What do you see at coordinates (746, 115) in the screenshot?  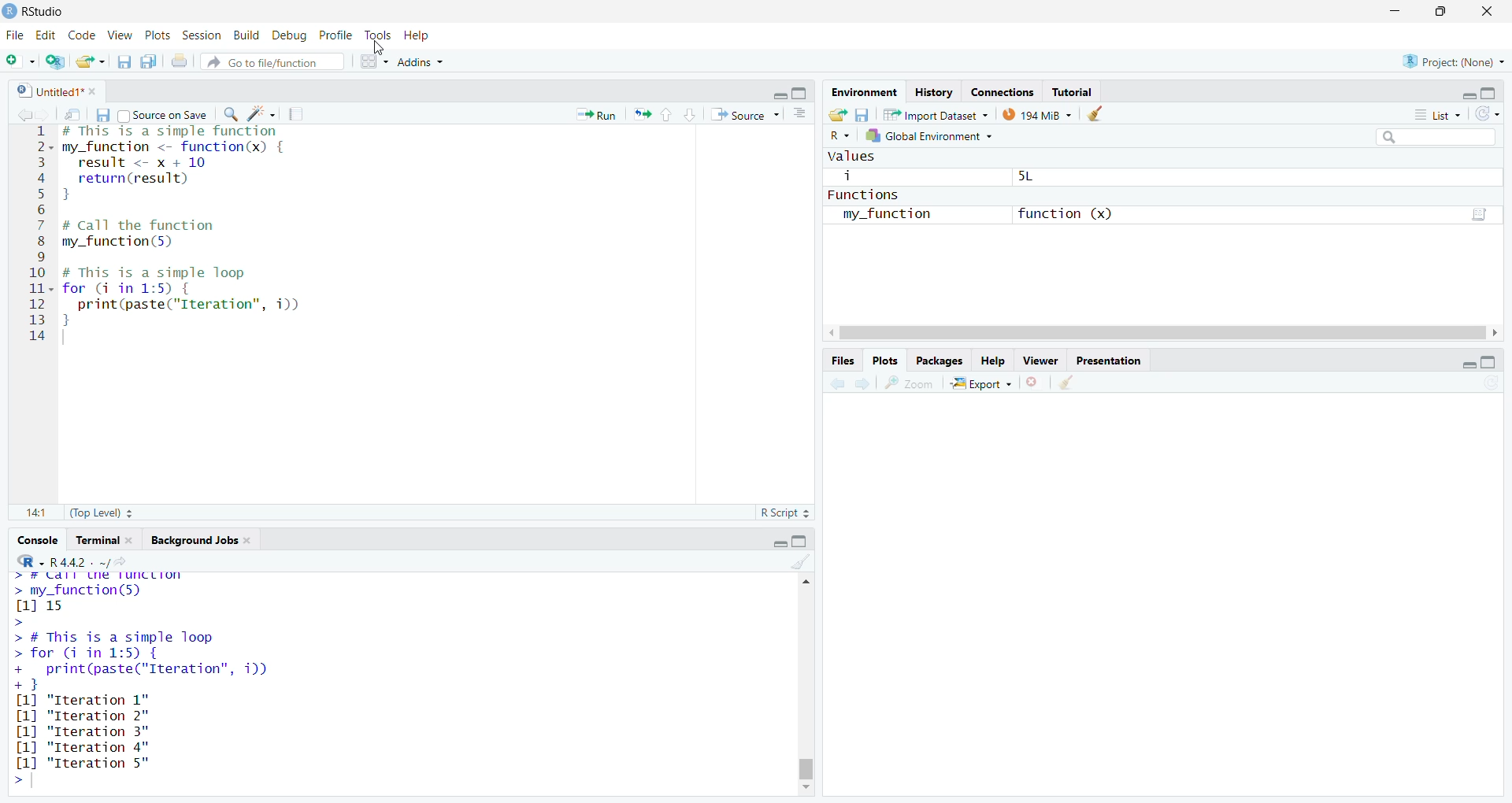 I see `source the contents of the document` at bounding box center [746, 115].